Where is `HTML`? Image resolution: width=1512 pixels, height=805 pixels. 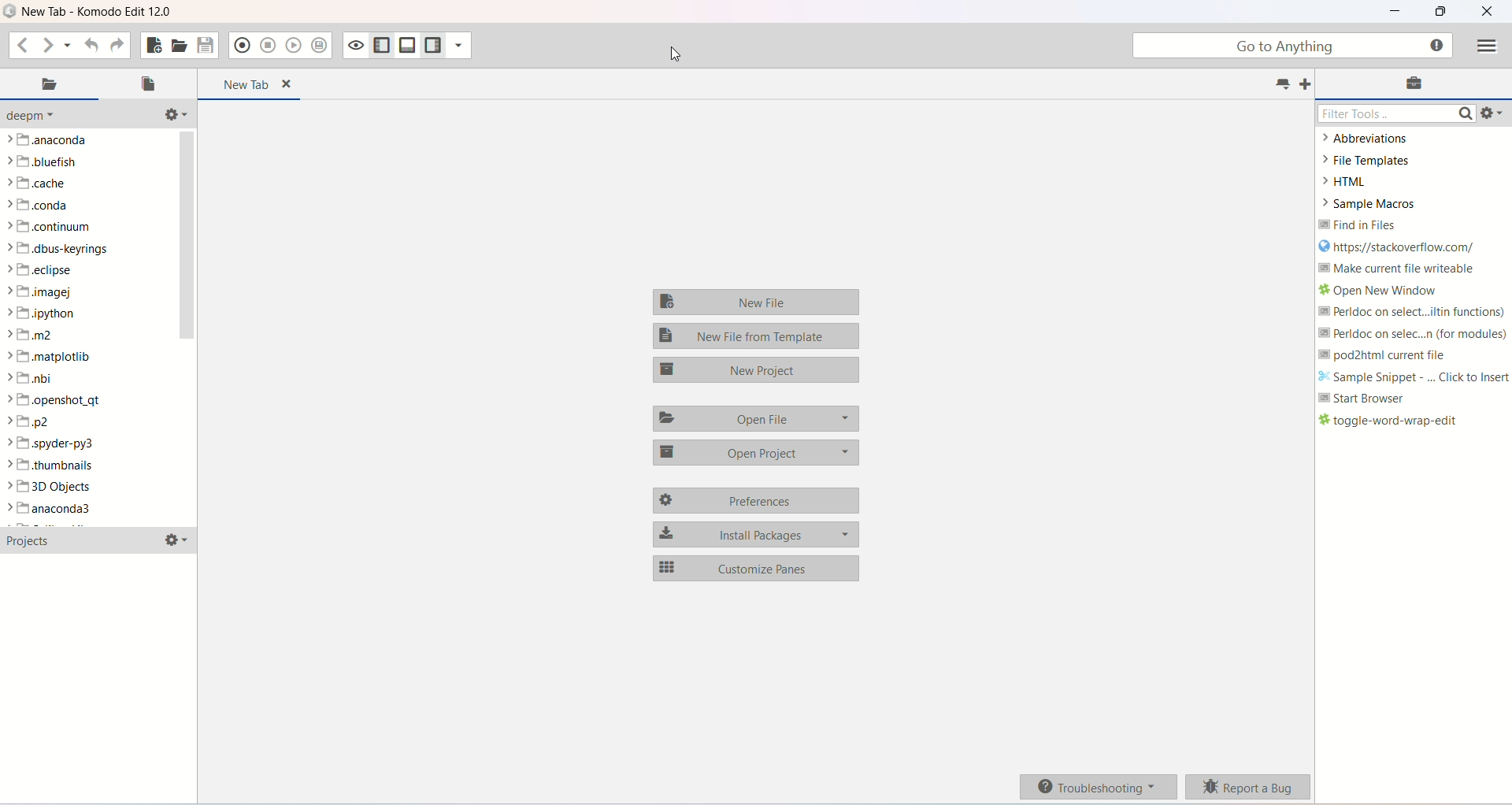
HTML is located at coordinates (1364, 184).